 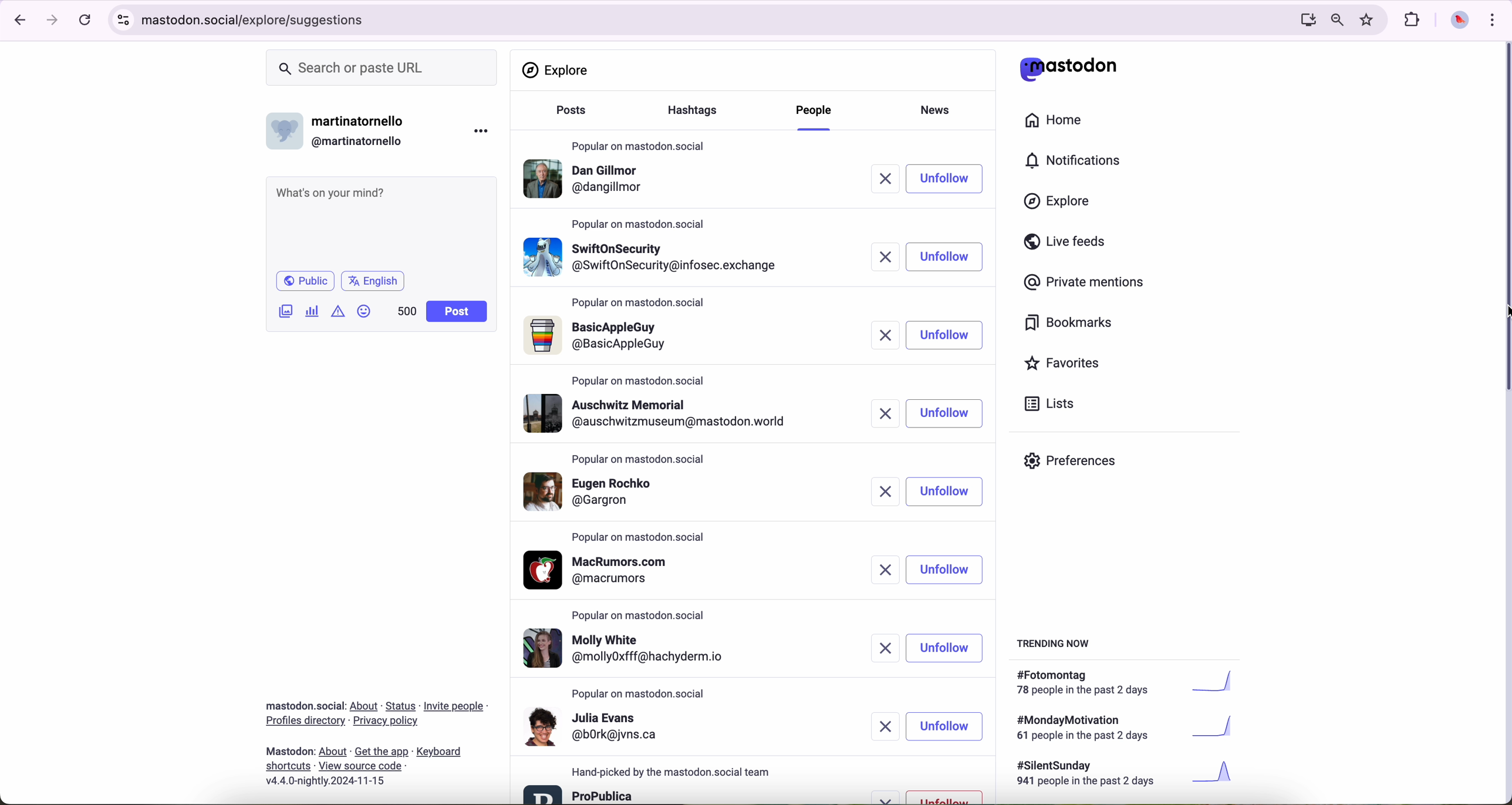 I want to click on notifications, so click(x=1078, y=161).